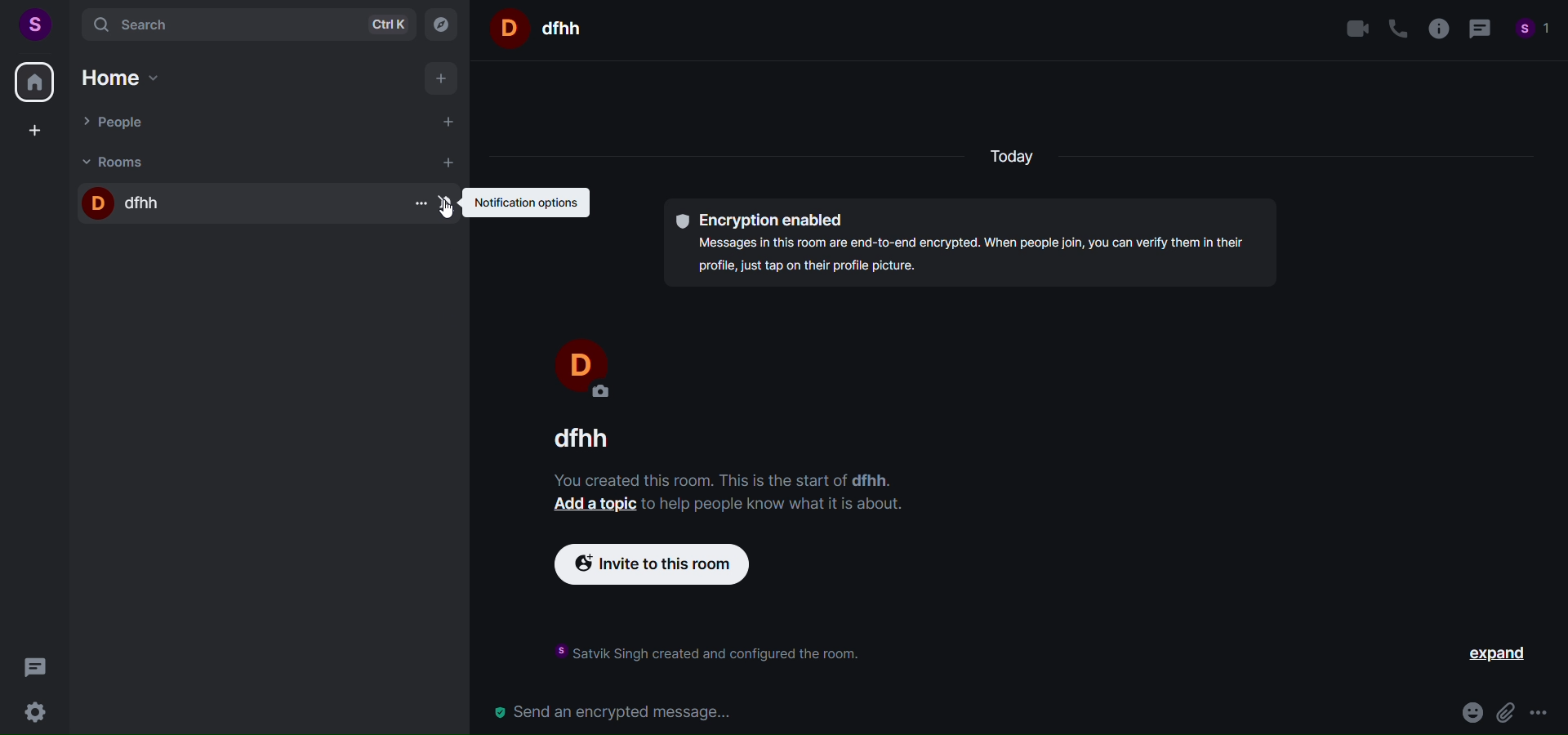 This screenshot has height=735, width=1568. What do you see at coordinates (1535, 29) in the screenshot?
I see `people` at bounding box center [1535, 29].